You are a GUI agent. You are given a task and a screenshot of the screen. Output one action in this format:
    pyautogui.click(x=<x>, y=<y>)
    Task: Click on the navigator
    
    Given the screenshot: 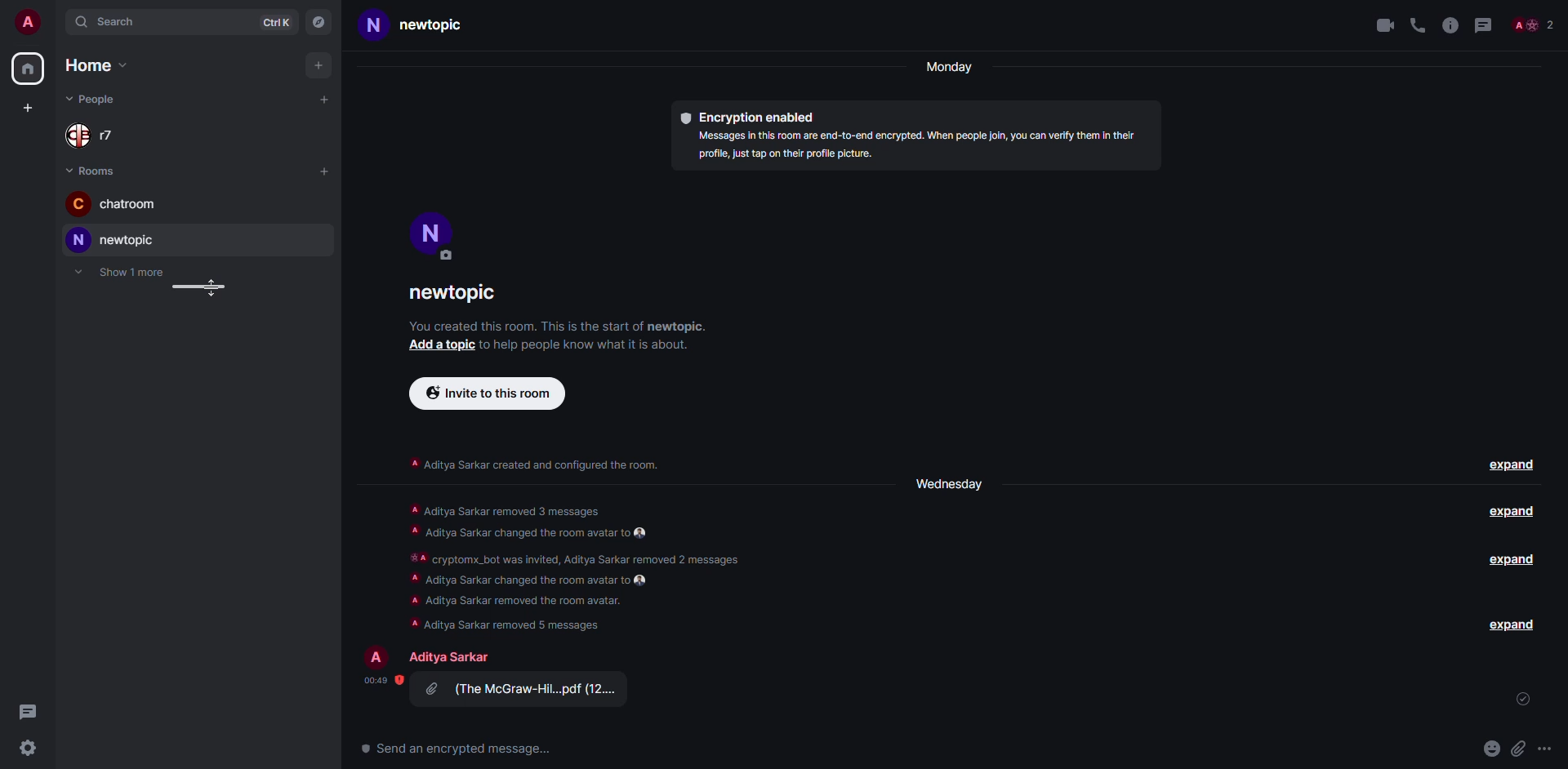 What is the action you would take?
    pyautogui.click(x=319, y=23)
    